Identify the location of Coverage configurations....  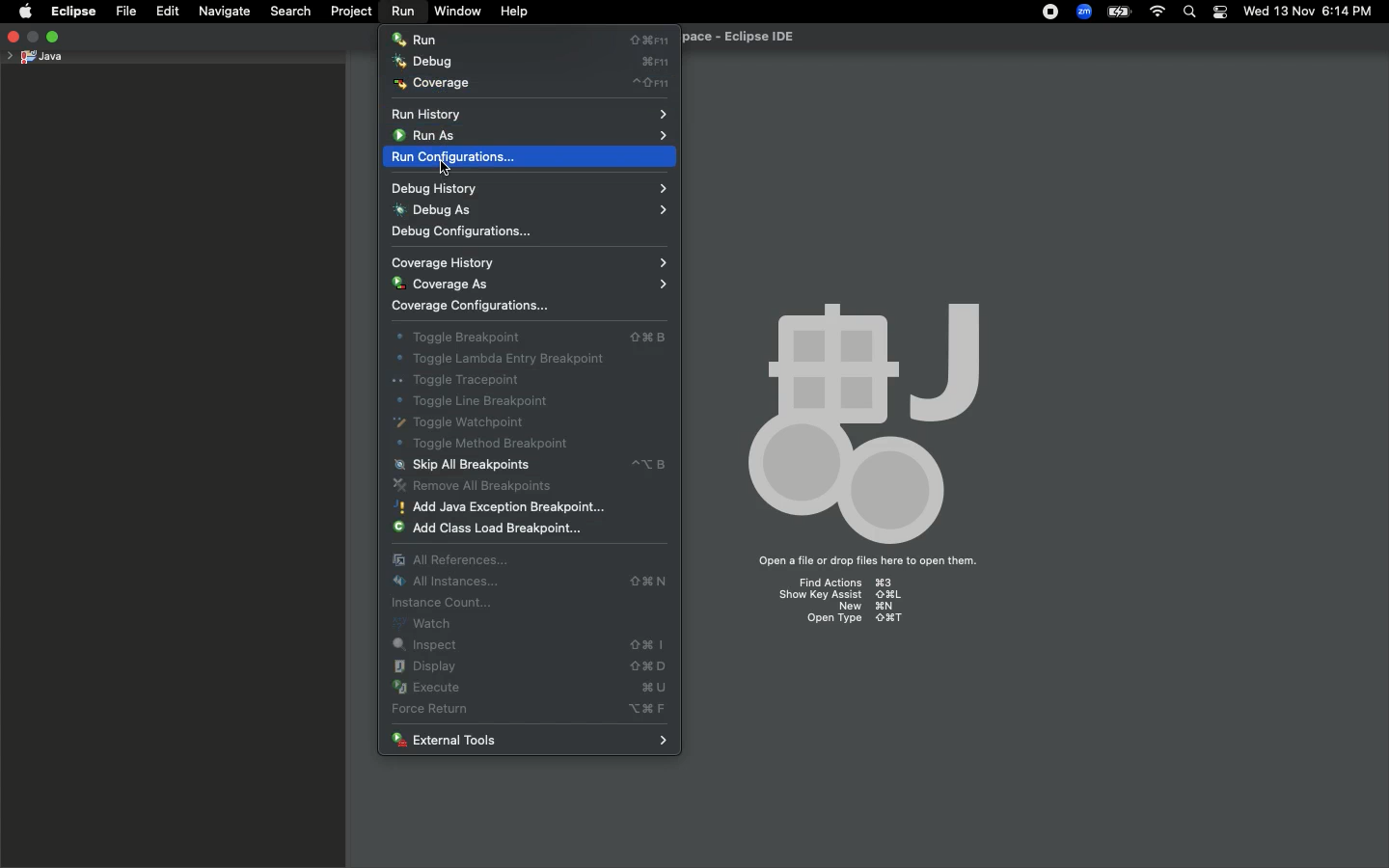
(469, 307).